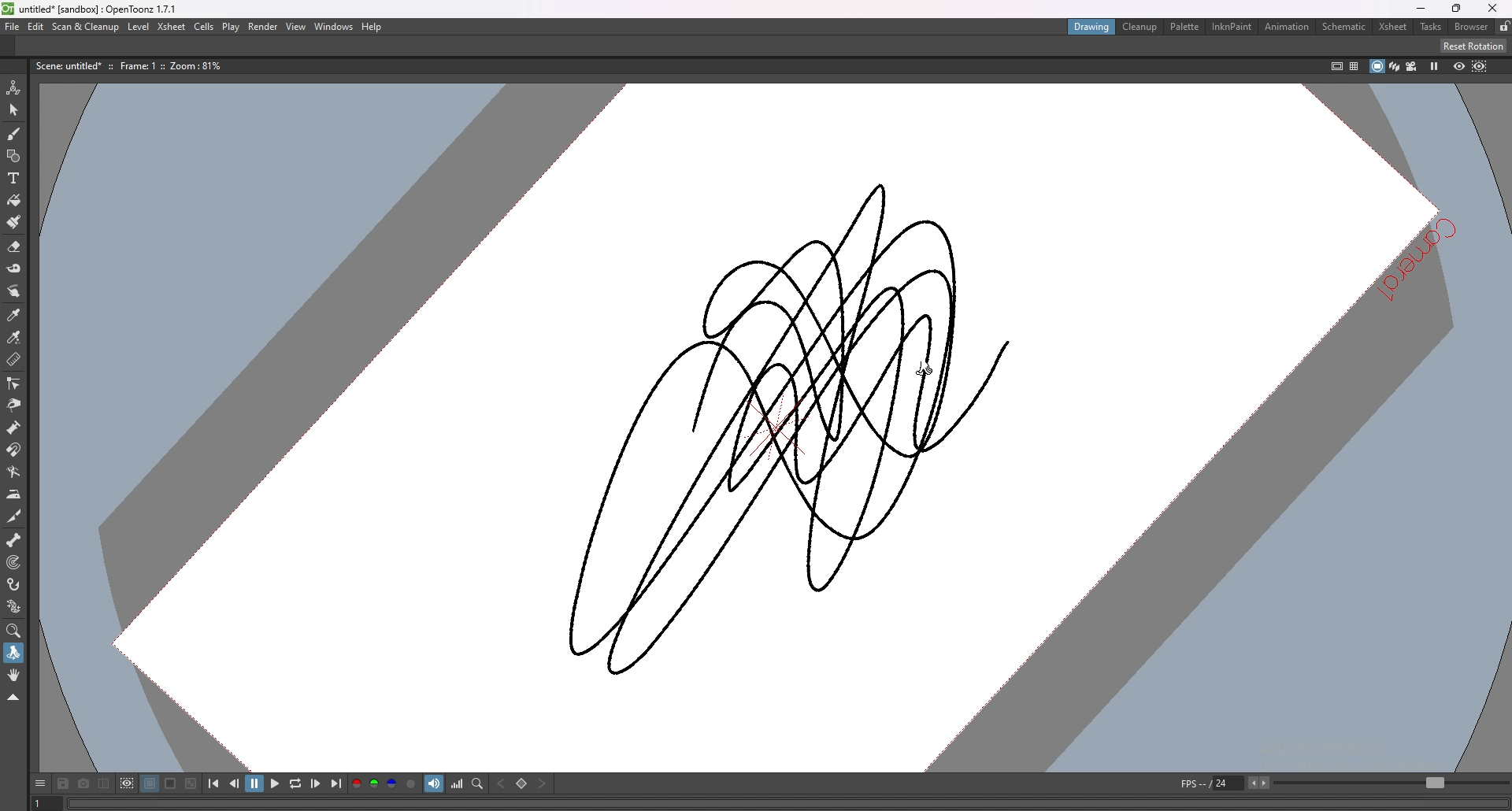  Describe the element at coordinates (786, 802) in the screenshot. I see `player` at that location.